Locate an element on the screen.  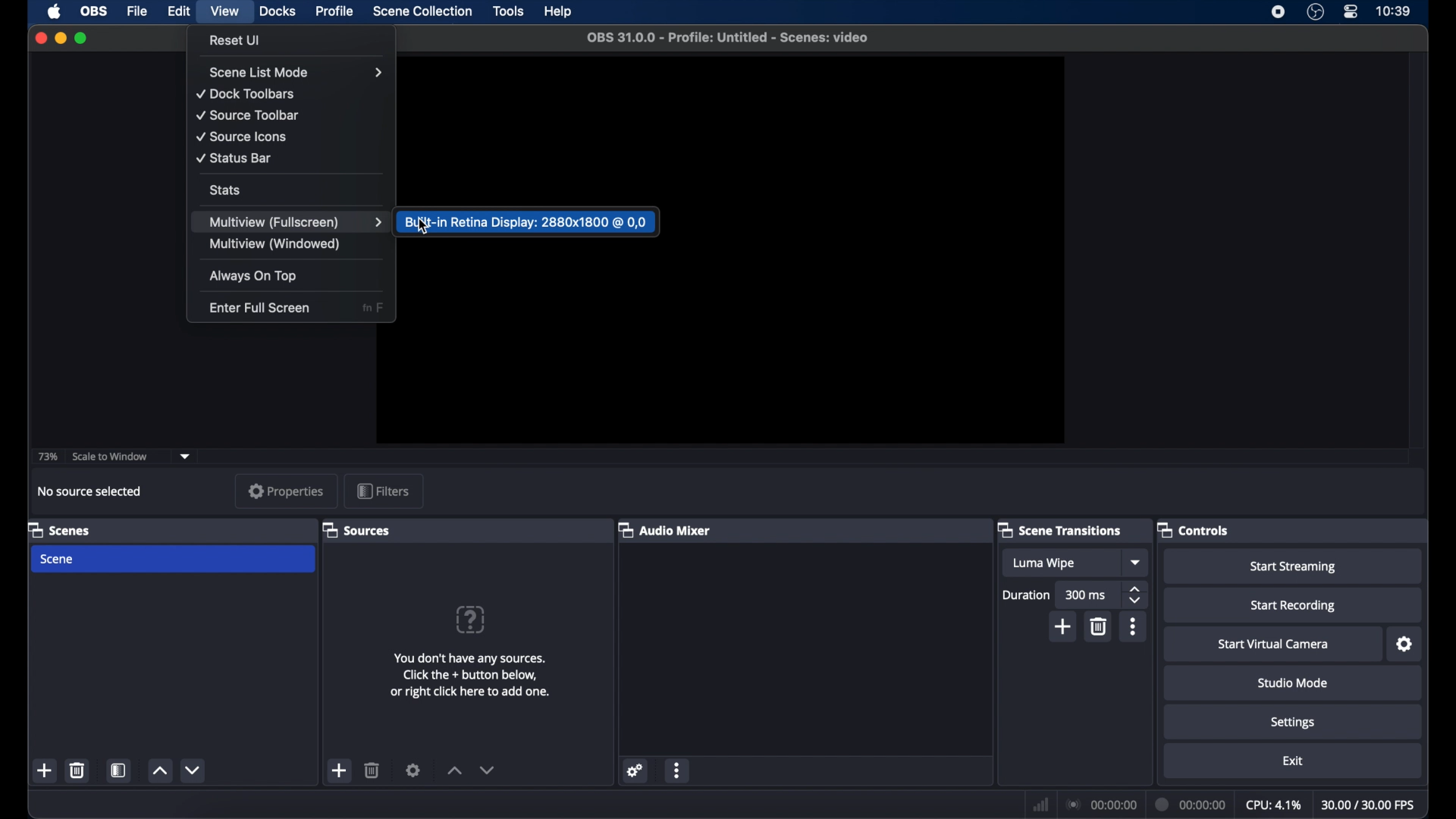
question mark icon is located at coordinates (472, 620).